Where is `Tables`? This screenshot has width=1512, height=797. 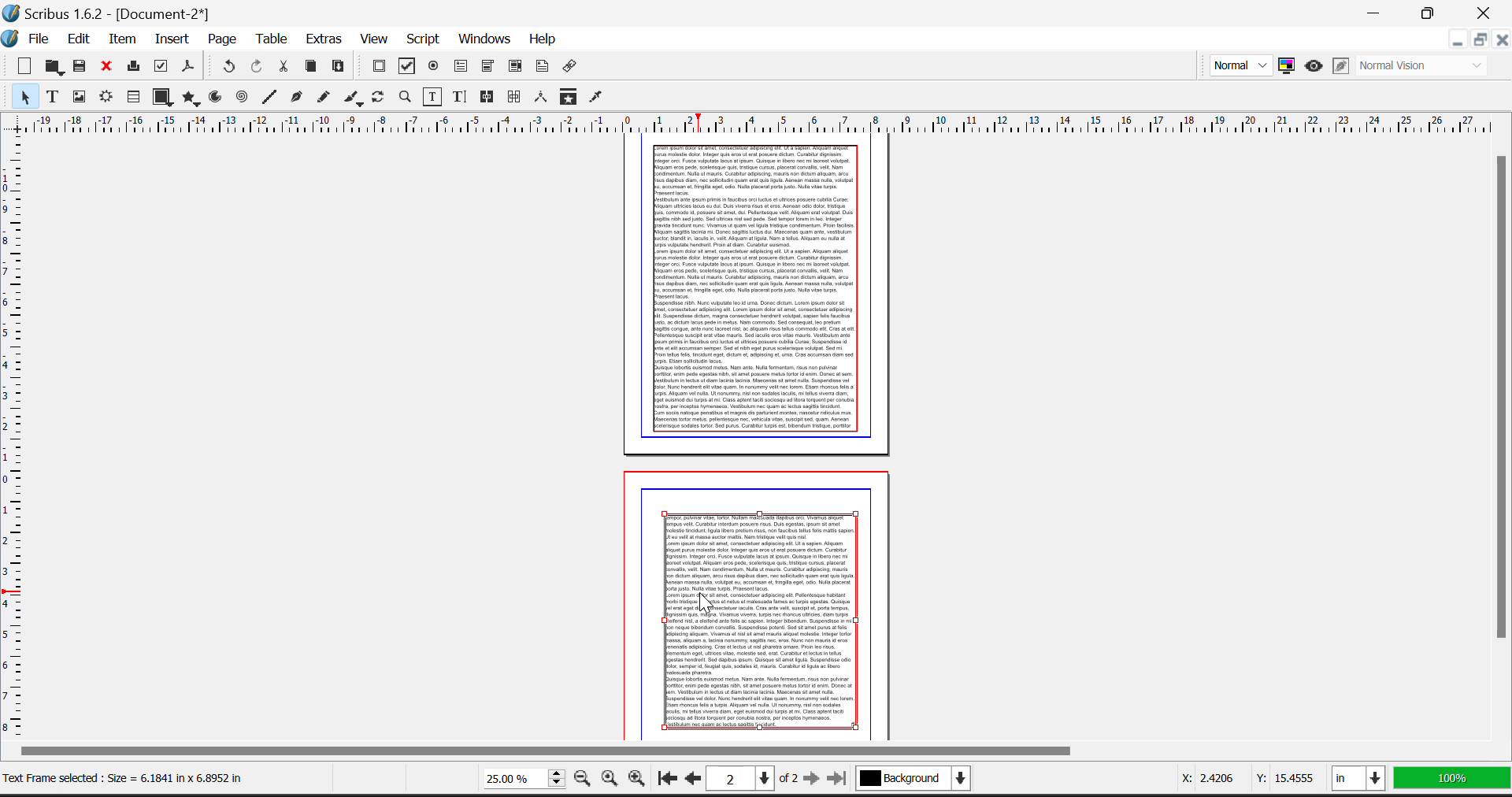 Tables is located at coordinates (133, 98).